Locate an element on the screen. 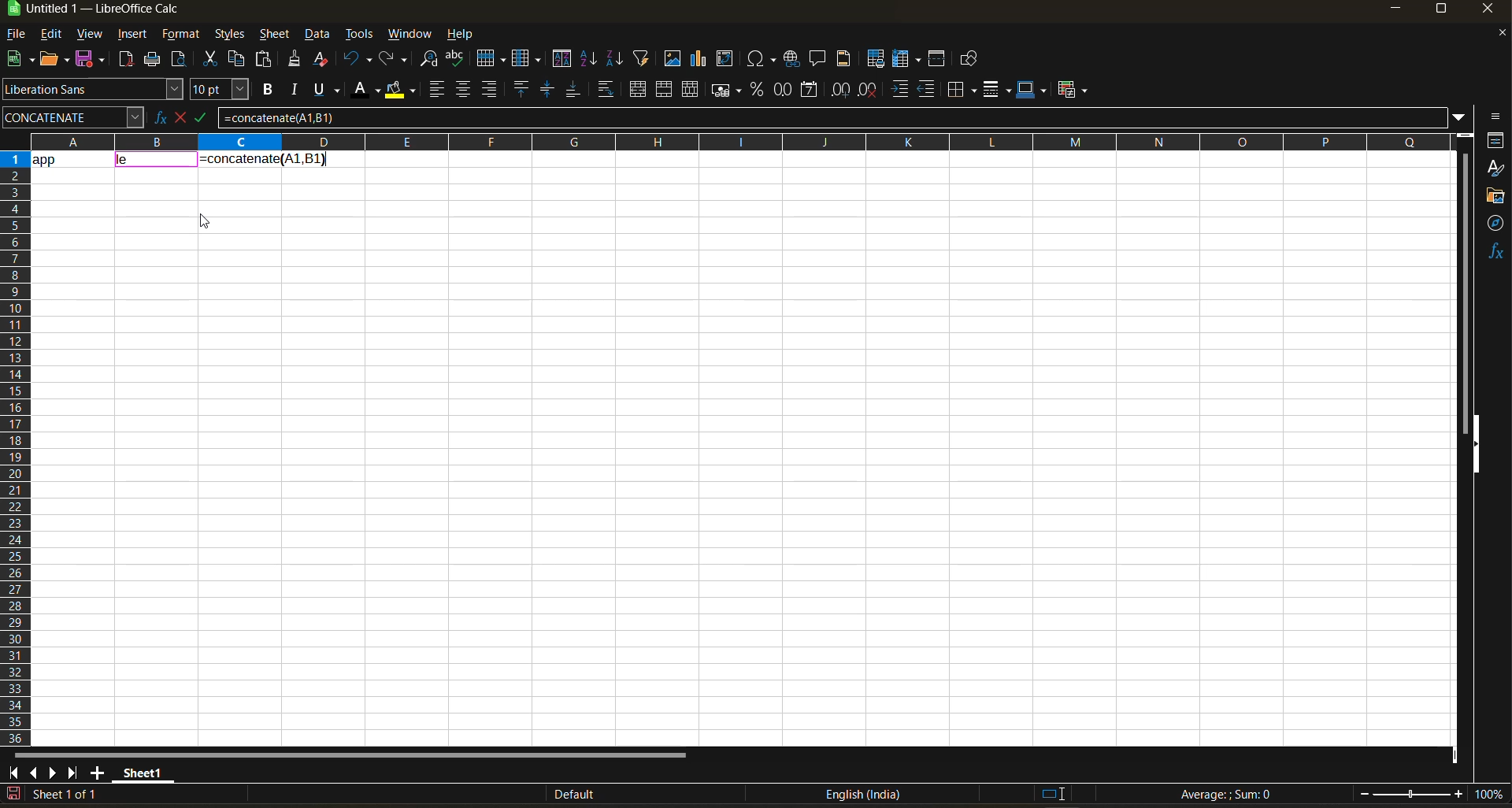 The width and height of the screenshot is (1512, 808). clear direct formatting is located at coordinates (324, 58).